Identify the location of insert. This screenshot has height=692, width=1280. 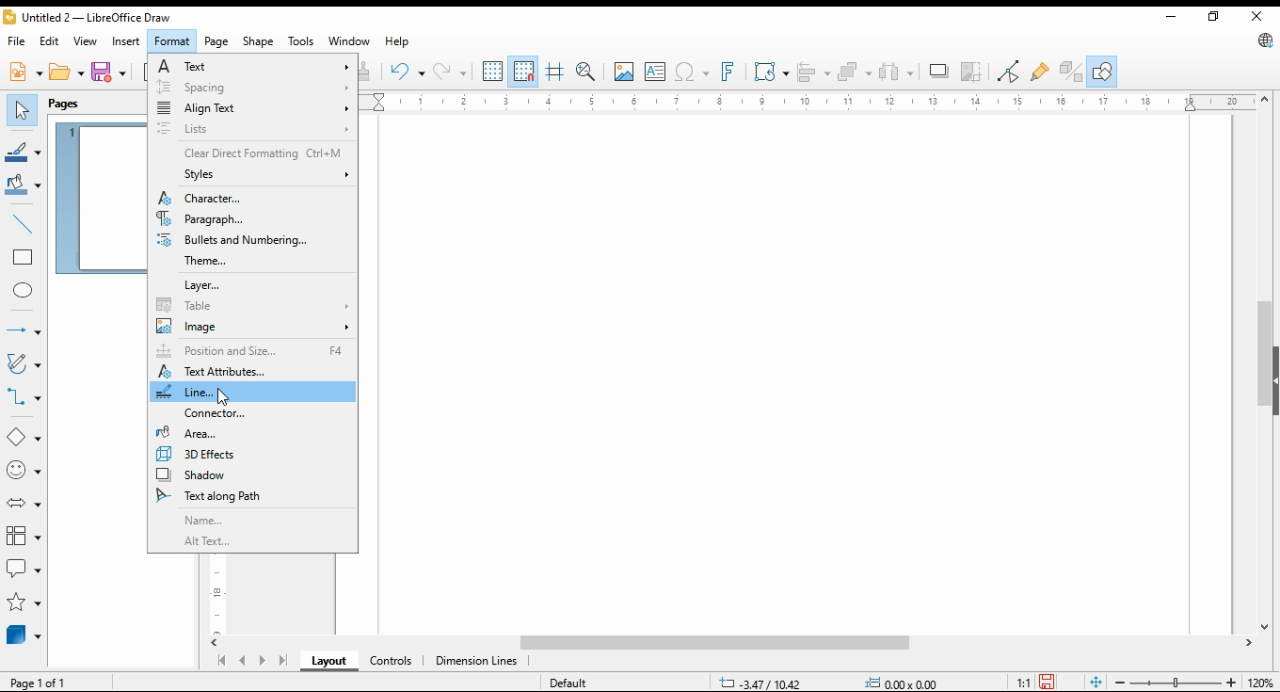
(127, 40).